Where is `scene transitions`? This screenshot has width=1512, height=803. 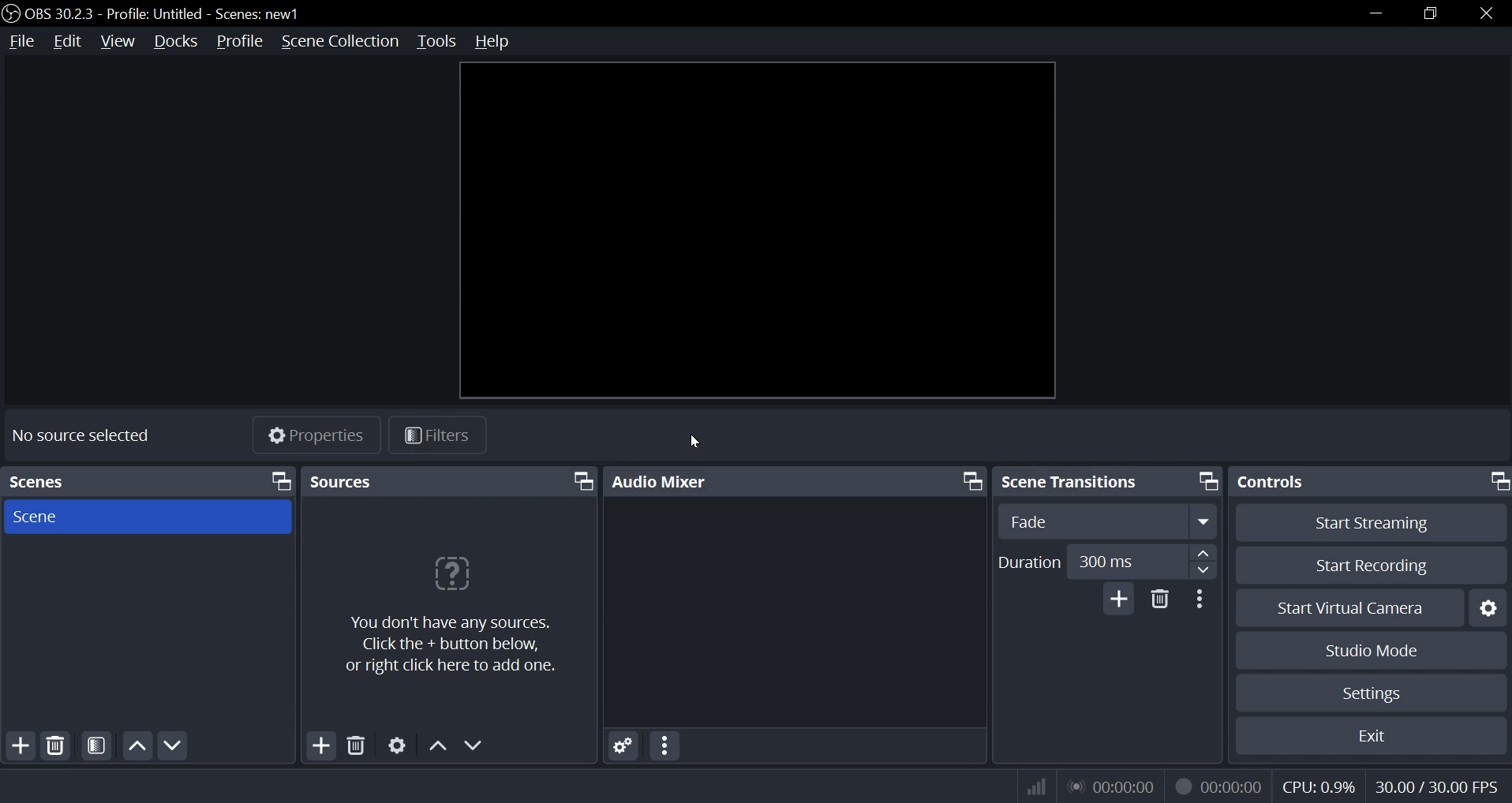 scene transitions is located at coordinates (1076, 481).